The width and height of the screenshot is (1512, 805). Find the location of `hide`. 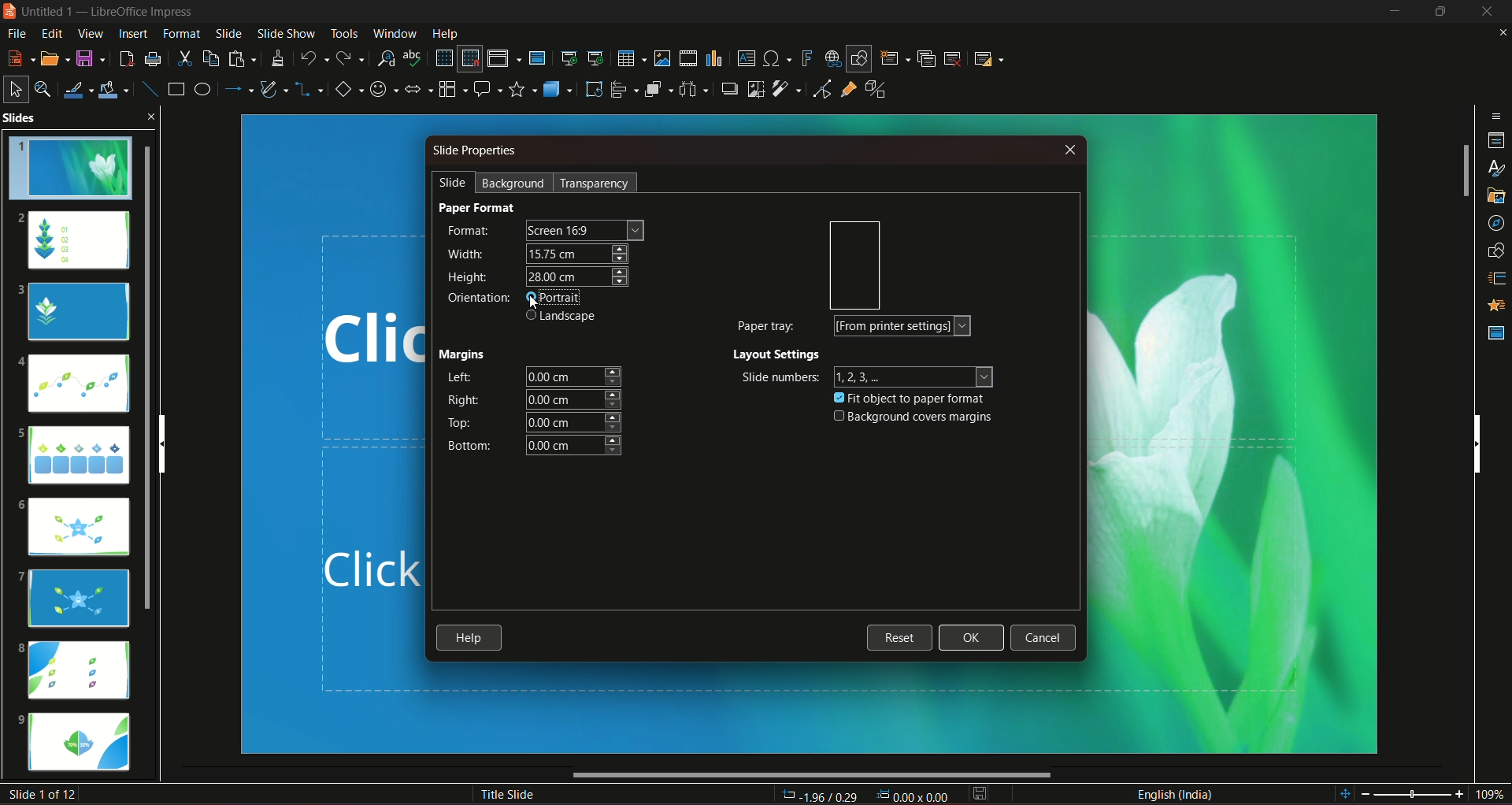

hide is located at coordinates (1437, 12).